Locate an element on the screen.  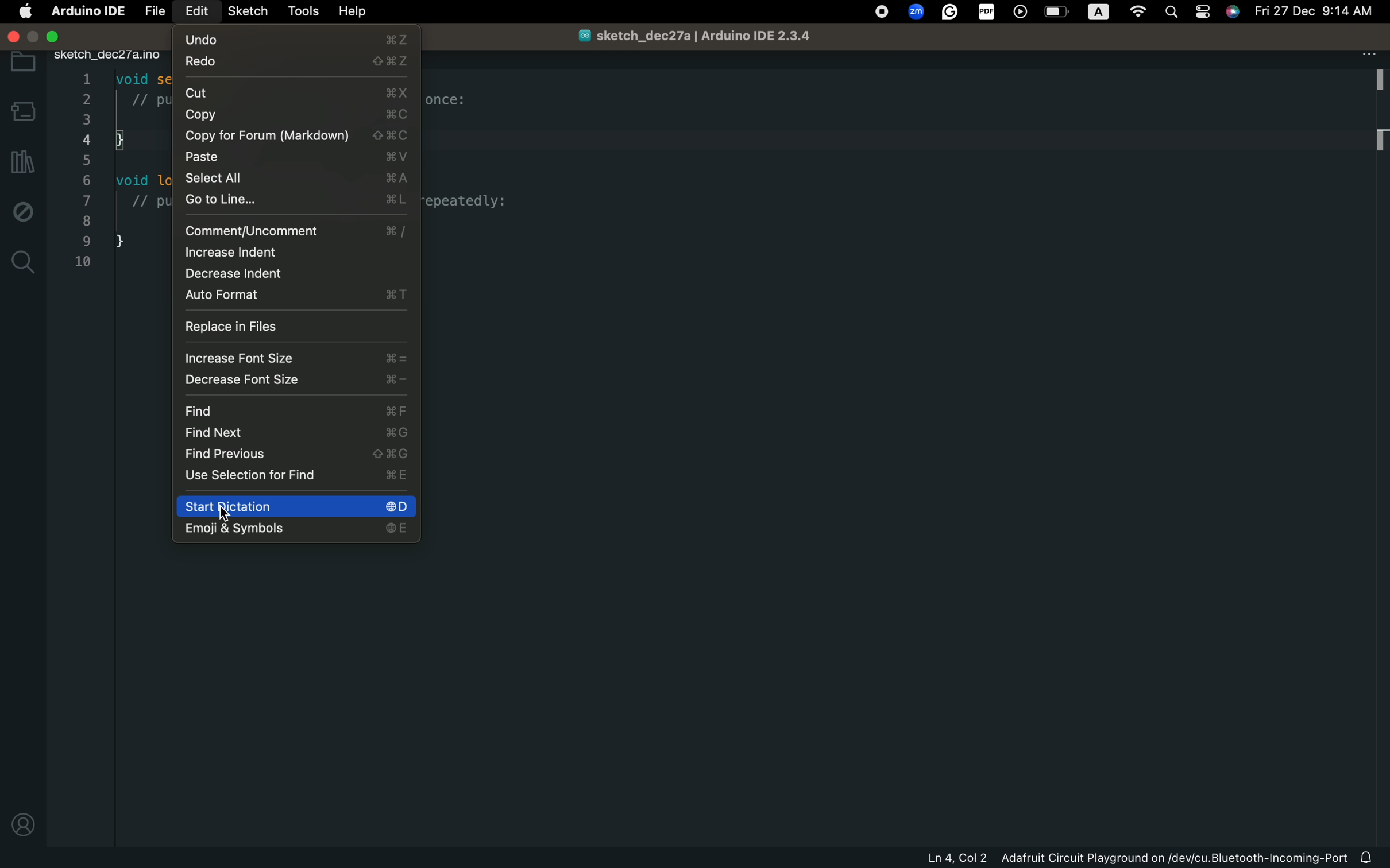
comment/uncomment is located at coordinates (296, 231).